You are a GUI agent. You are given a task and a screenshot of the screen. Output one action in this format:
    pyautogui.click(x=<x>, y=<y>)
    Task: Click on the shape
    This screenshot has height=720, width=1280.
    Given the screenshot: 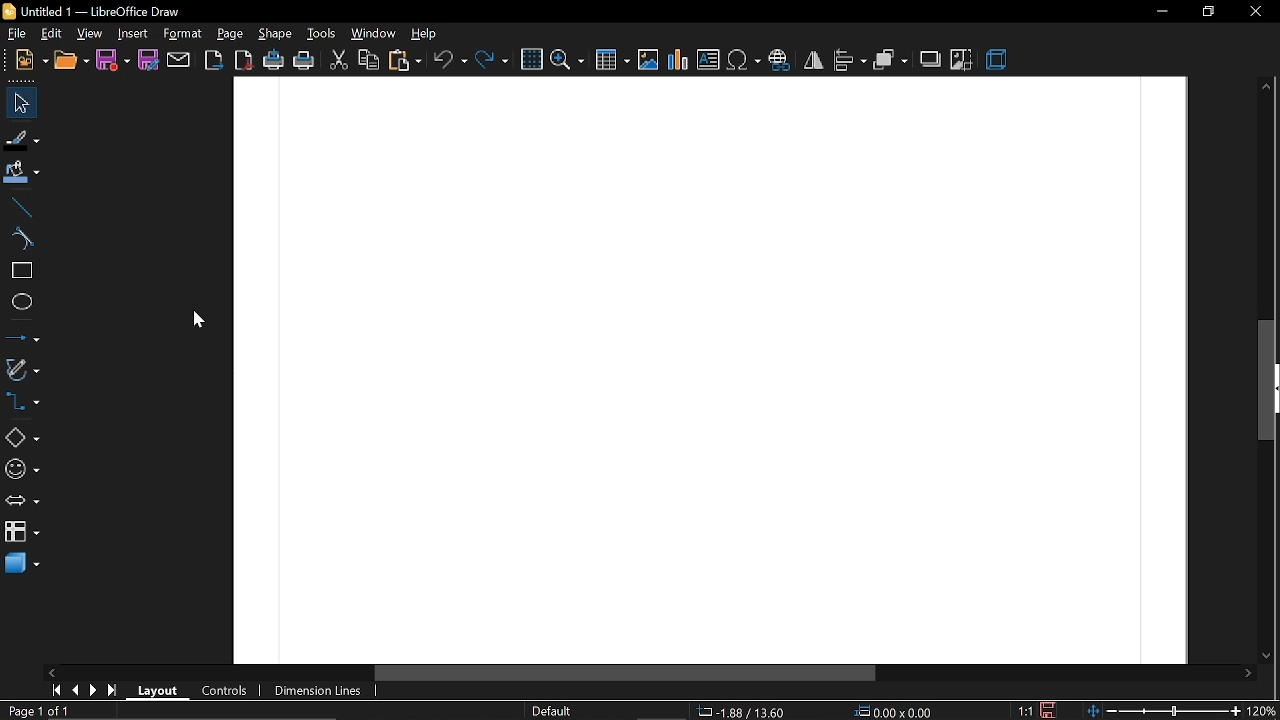 What is the action you would take?
    pyautogui.click(x=275, y=33)
    